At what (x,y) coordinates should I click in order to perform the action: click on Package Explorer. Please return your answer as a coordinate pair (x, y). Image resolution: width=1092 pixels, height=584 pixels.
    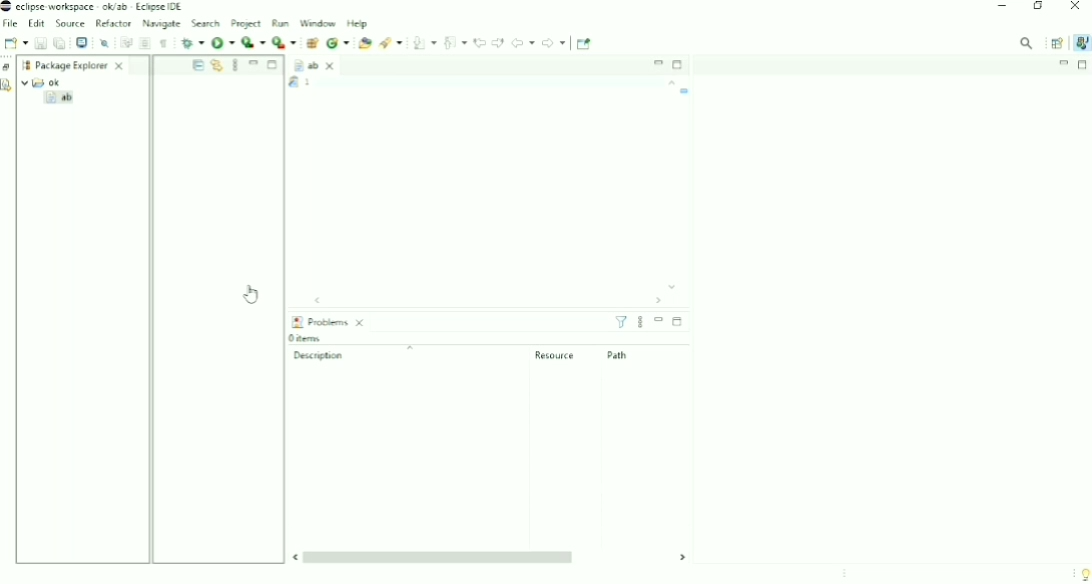
    Looking at the image, I should click on (80, 65).